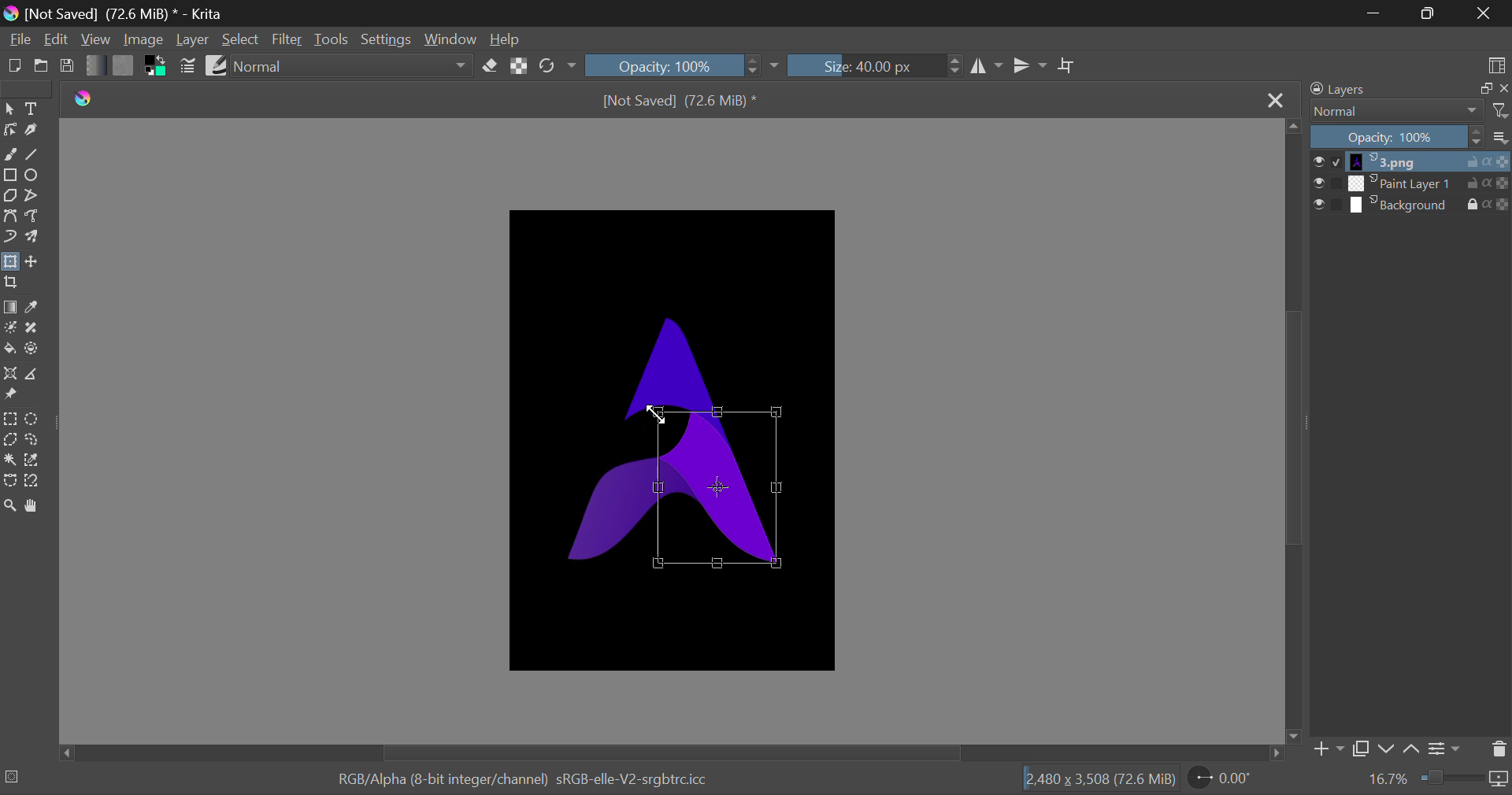 This screenshot has width=1512, height=795. Describe the element at coordinates (289, 39) in the screenshot. I see `Filter` at that location.